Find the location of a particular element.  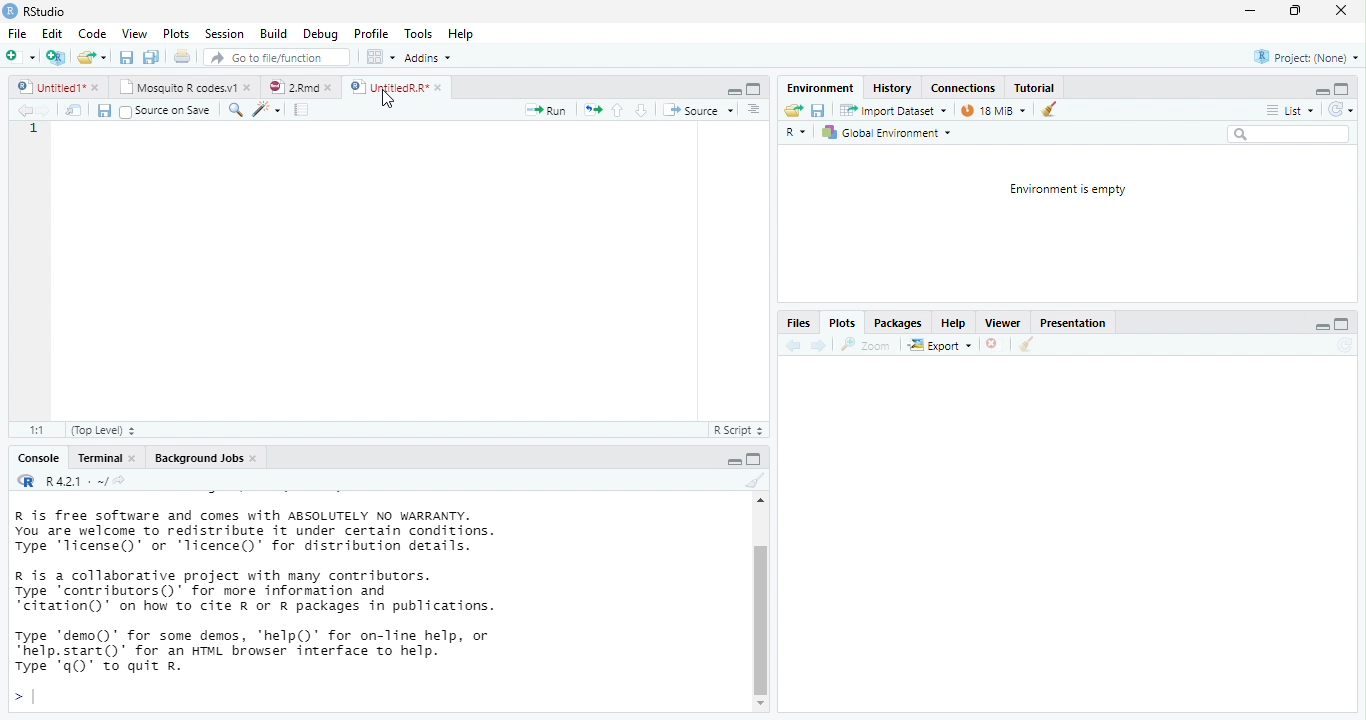

Viewer is located at coordinates (1002, 323).